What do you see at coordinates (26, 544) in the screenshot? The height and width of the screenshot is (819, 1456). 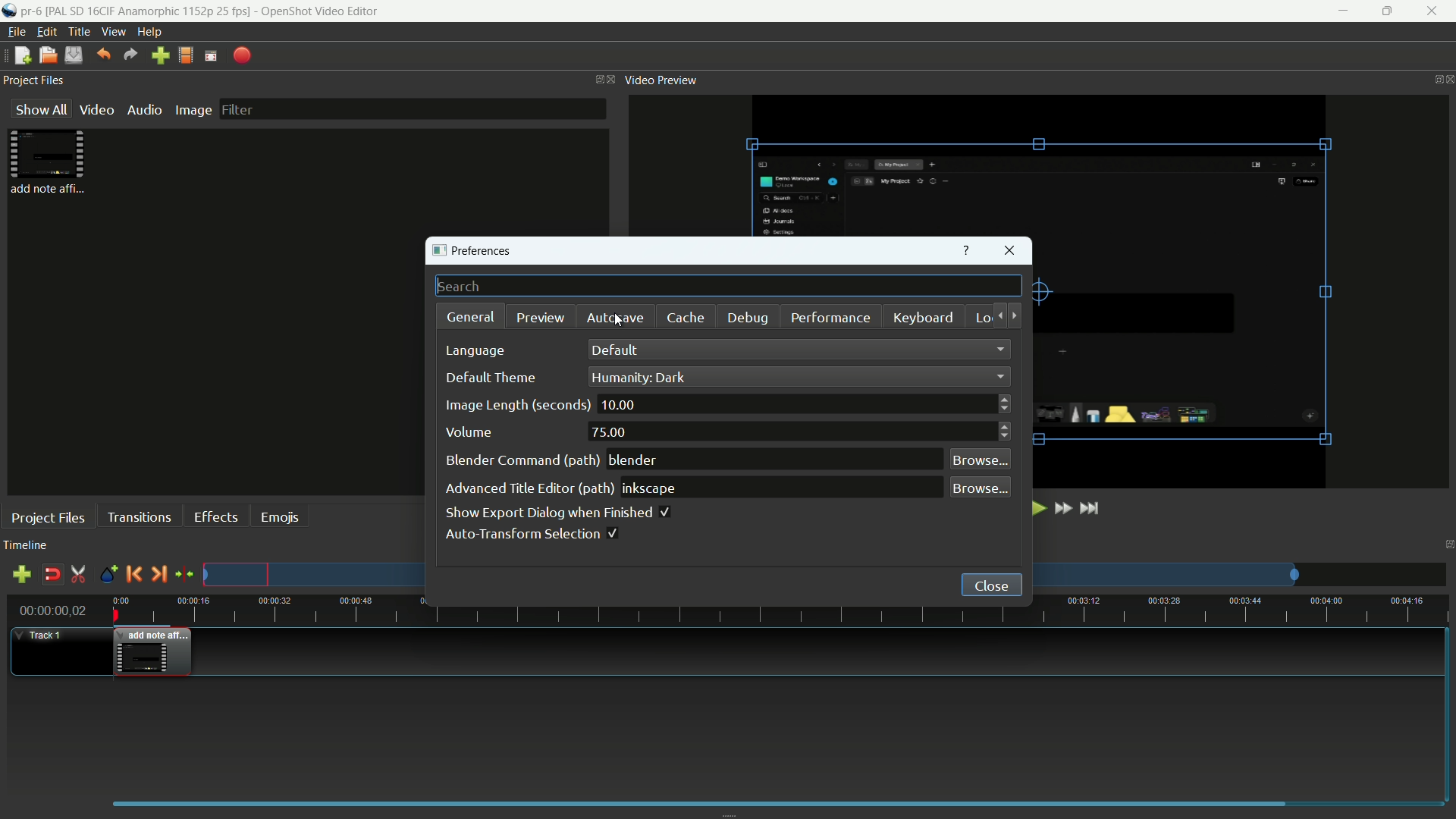 I see `timeline` at bounding box center [26, 544].